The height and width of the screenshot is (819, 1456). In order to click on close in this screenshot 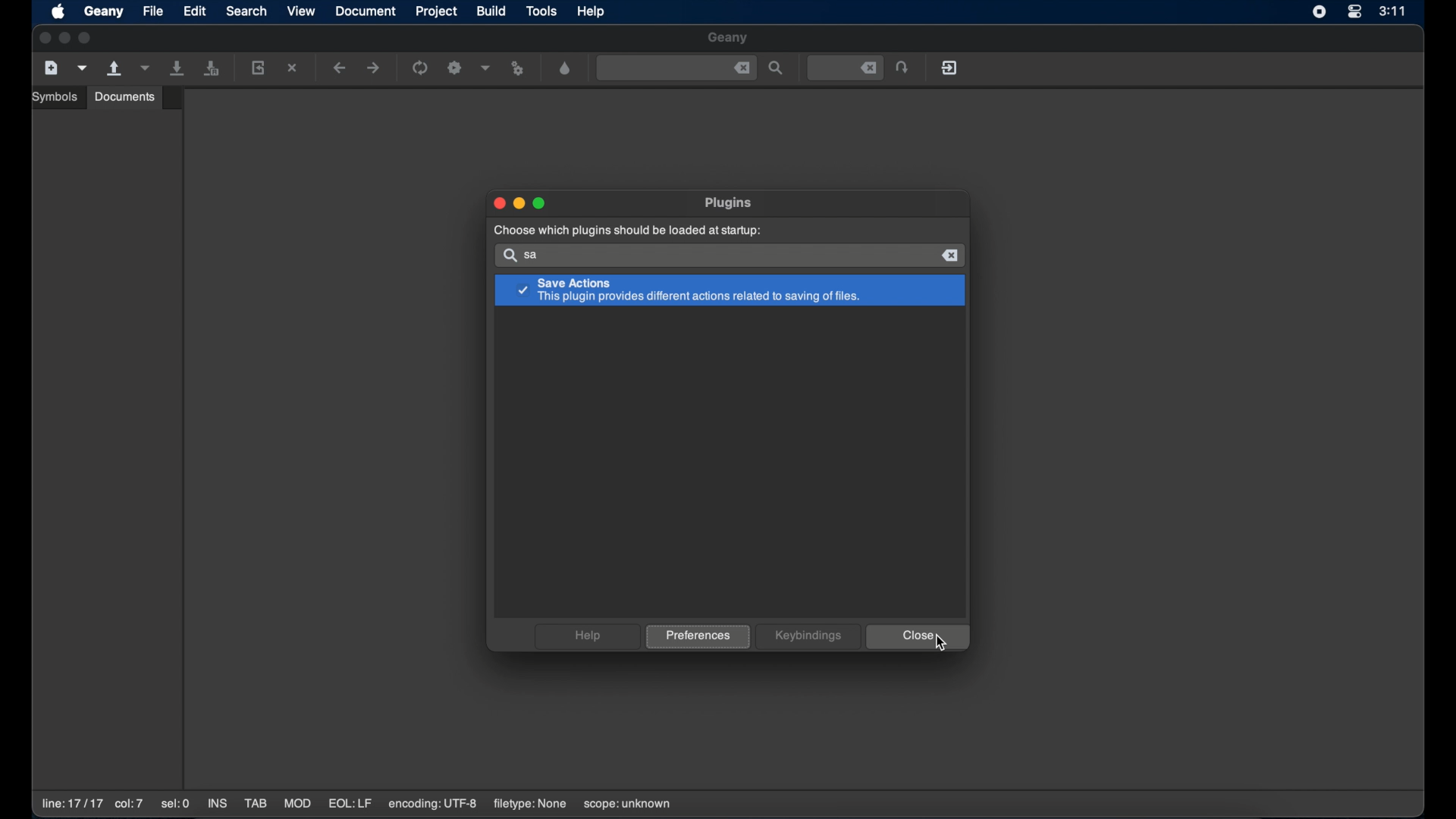, I will do `click(952, 256)`.